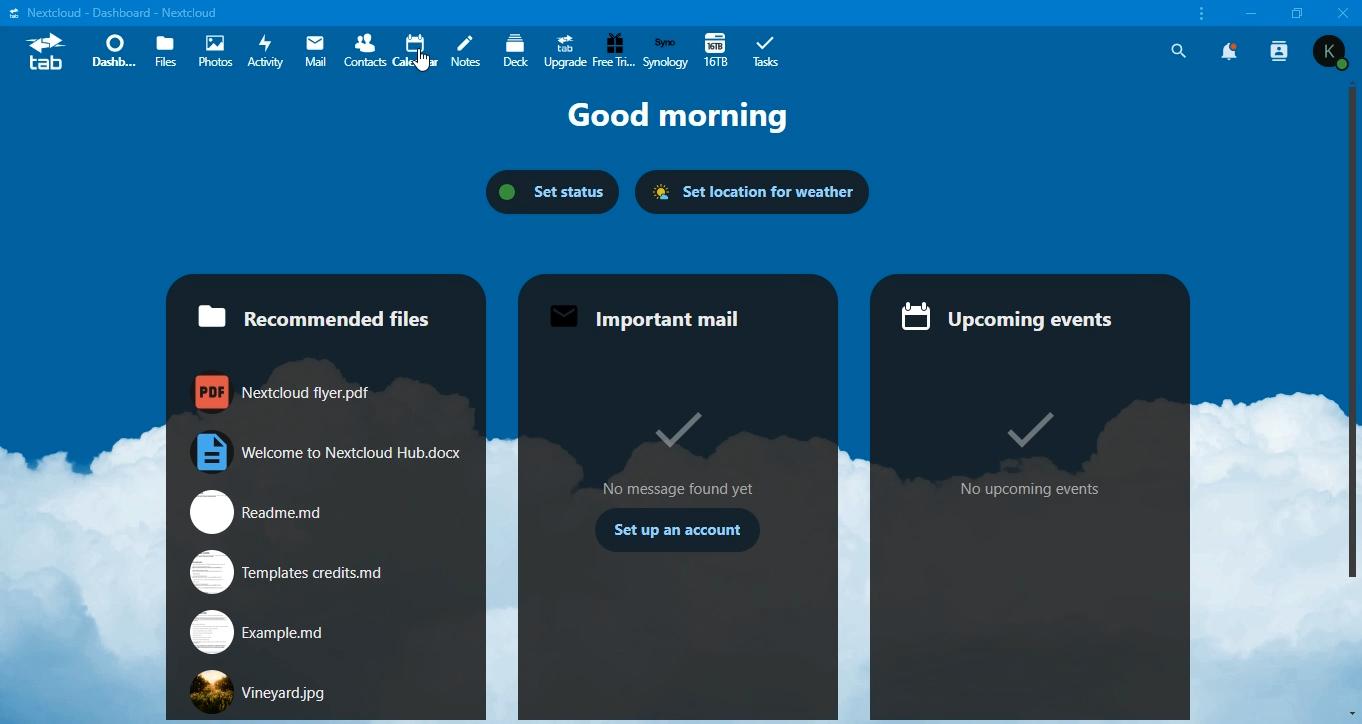  What do you see at coordinates (364, 48) in the screenshot?
I see `contacts` at bounding box center [364, 48].